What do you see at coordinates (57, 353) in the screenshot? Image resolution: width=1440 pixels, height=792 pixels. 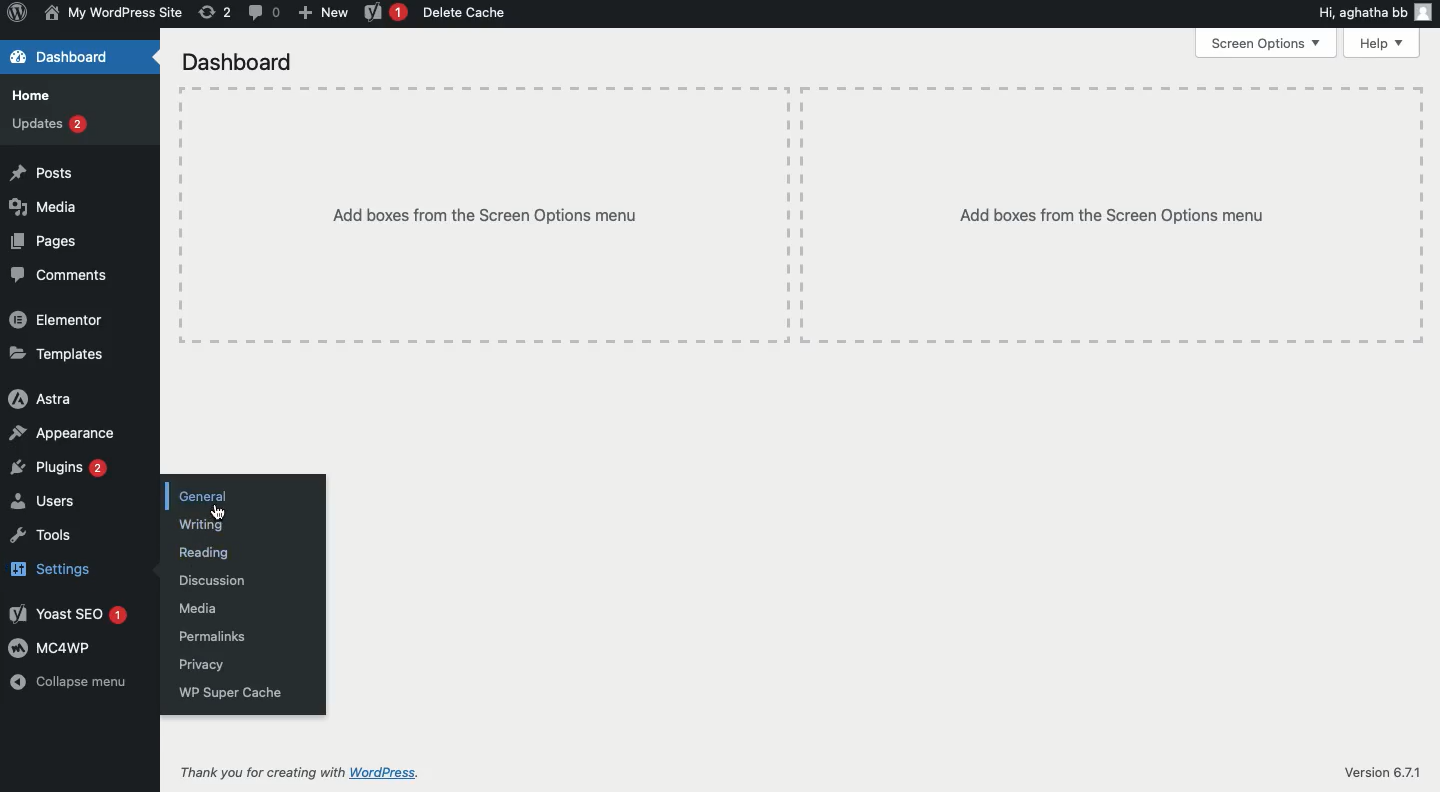 I see `Templates` at bounding box center [57, 353].